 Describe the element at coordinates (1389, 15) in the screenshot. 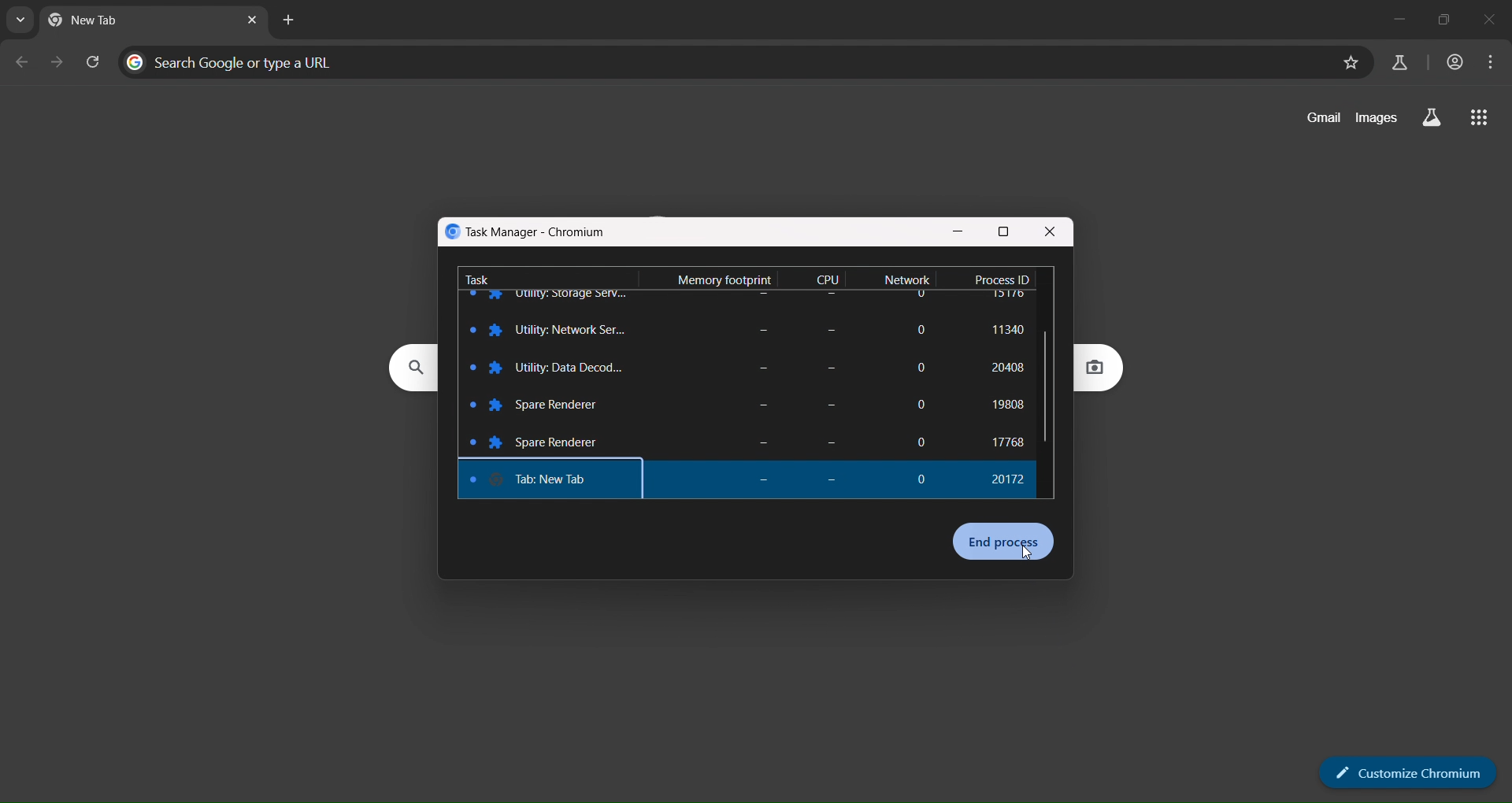

I see `minimize` at that location.